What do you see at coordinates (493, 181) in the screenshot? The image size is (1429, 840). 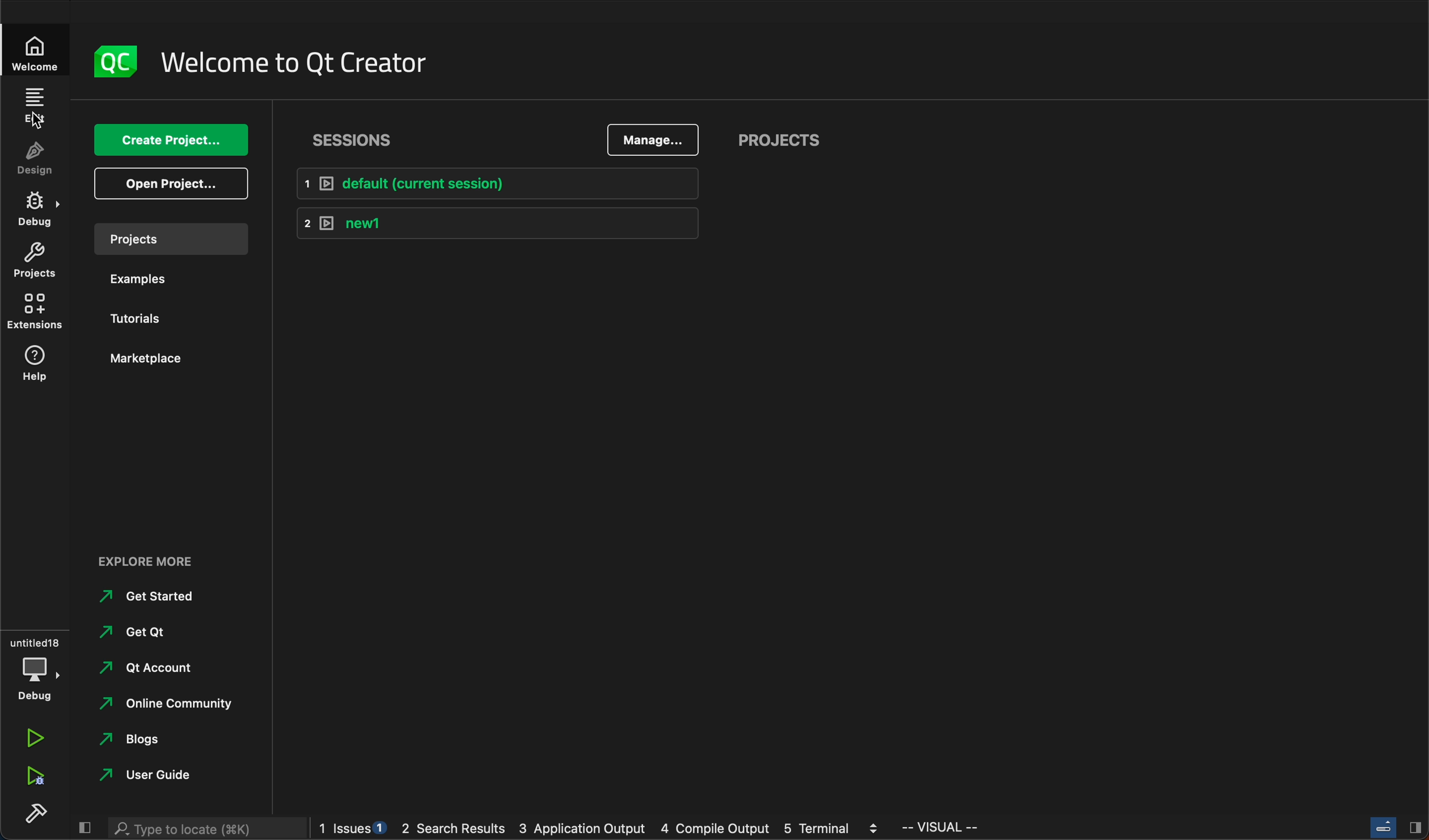 I see `default` at bounding box center [493, 181].